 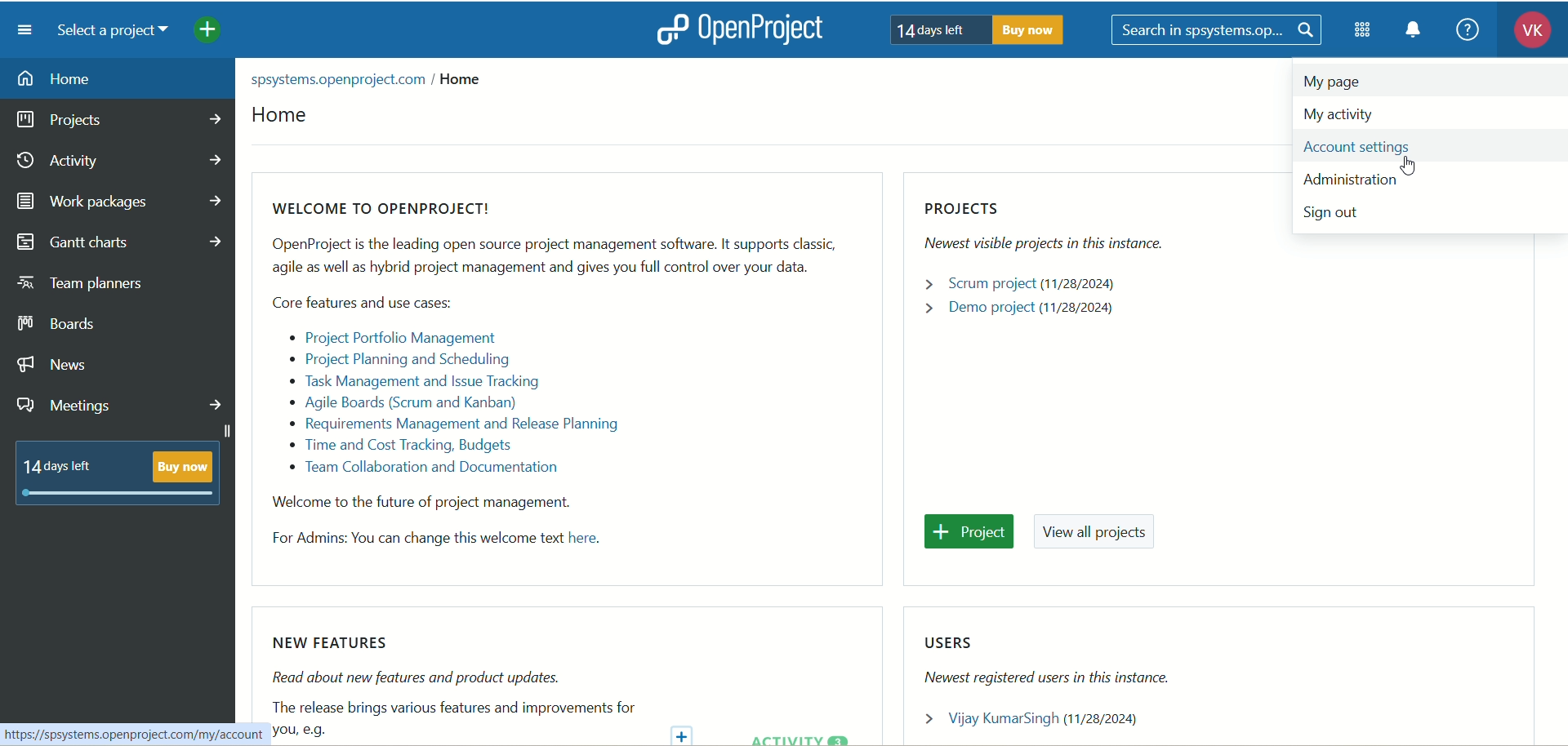 I want to click on home, so click(x=290, y=118).